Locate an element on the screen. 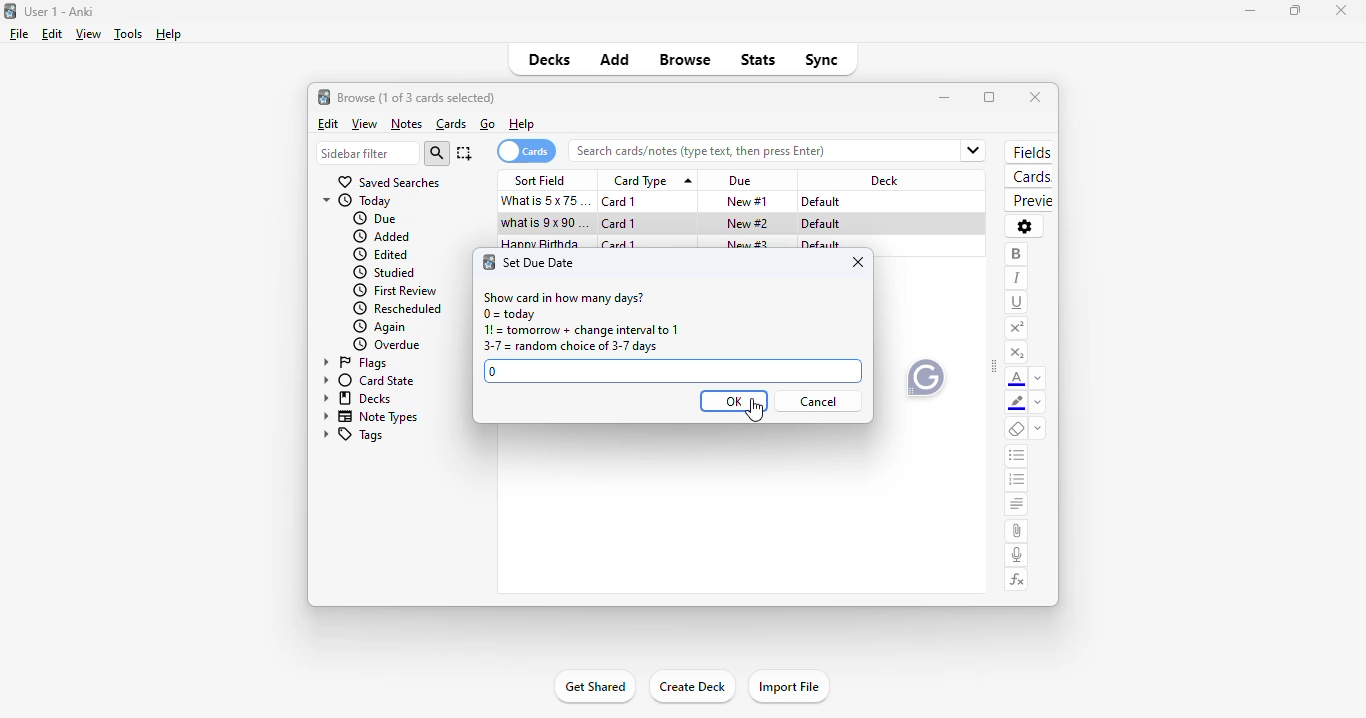 The height and width of the screenshot is (718, 1366). underline is located at coordinates (1018, 304).